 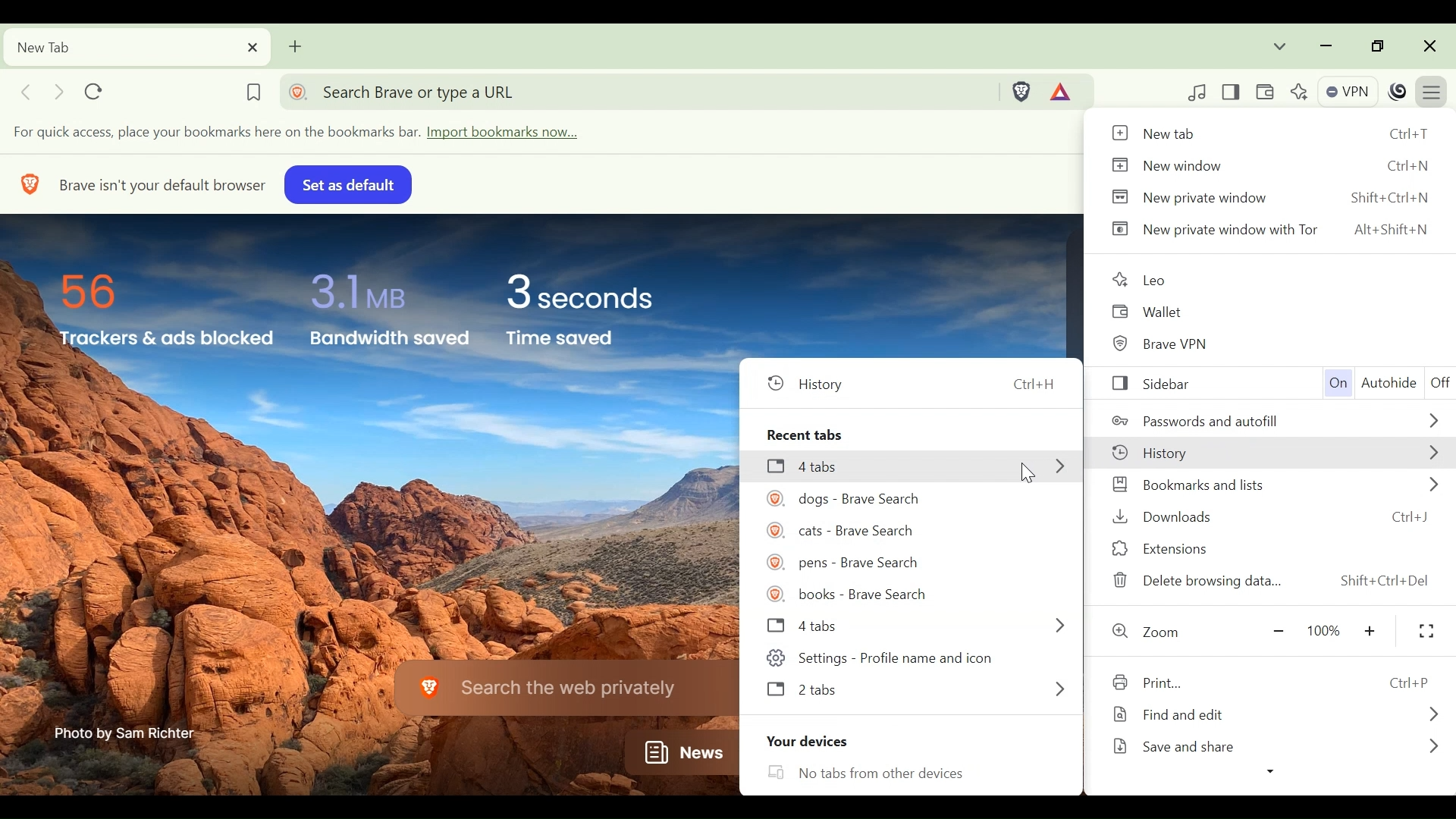 What do you see at coordinates (1273, 548) in the screenshot?
I see `Extensions` at bounding box center [1273, 548].